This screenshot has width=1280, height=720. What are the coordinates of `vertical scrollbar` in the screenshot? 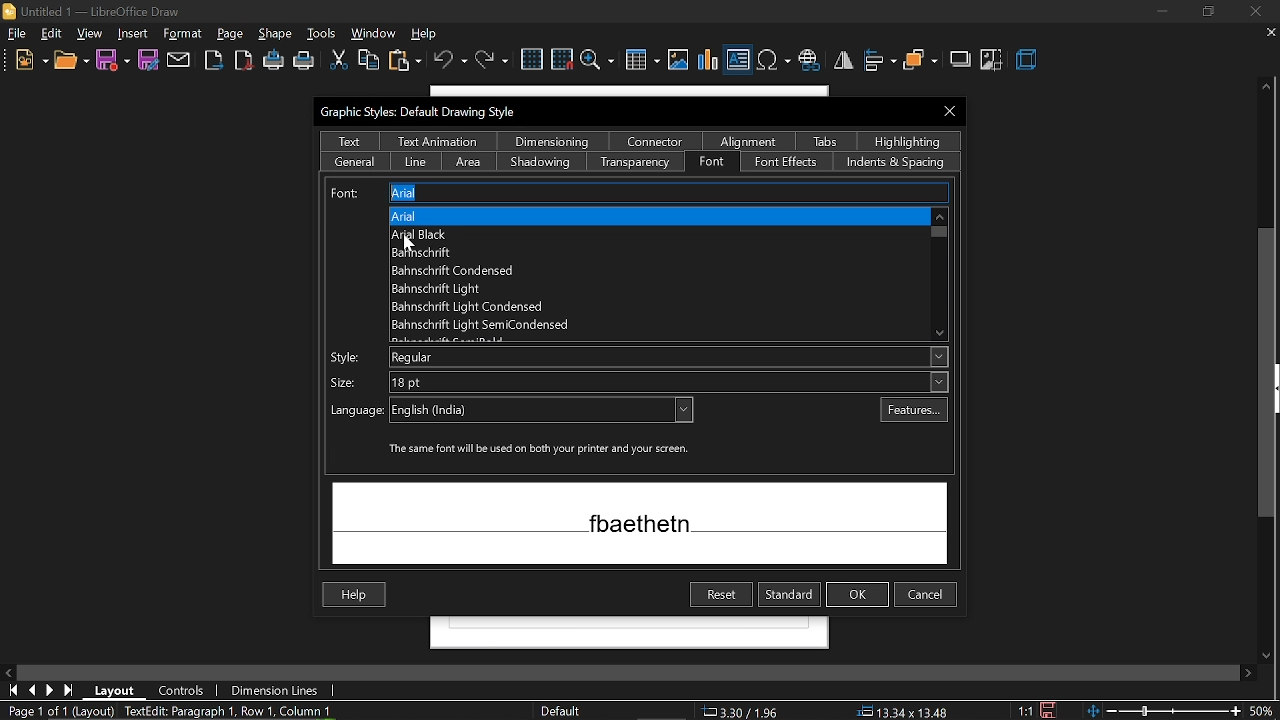 It's located at (1267, 375).